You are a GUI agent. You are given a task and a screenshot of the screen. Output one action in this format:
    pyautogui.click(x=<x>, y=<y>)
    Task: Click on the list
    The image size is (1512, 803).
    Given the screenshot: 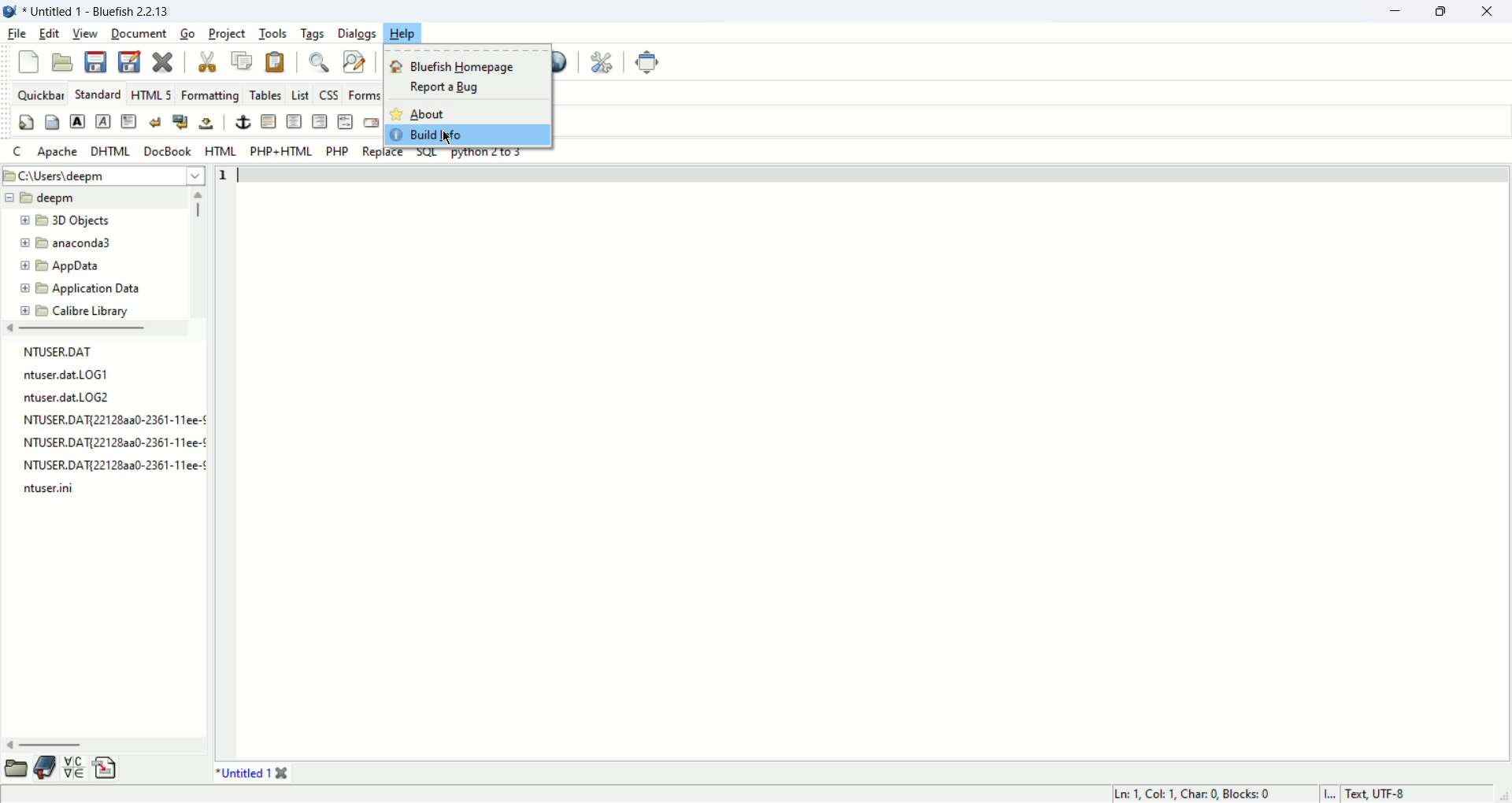 What is the action you would take?
    pyautogui.click(x=302, y=96)
    